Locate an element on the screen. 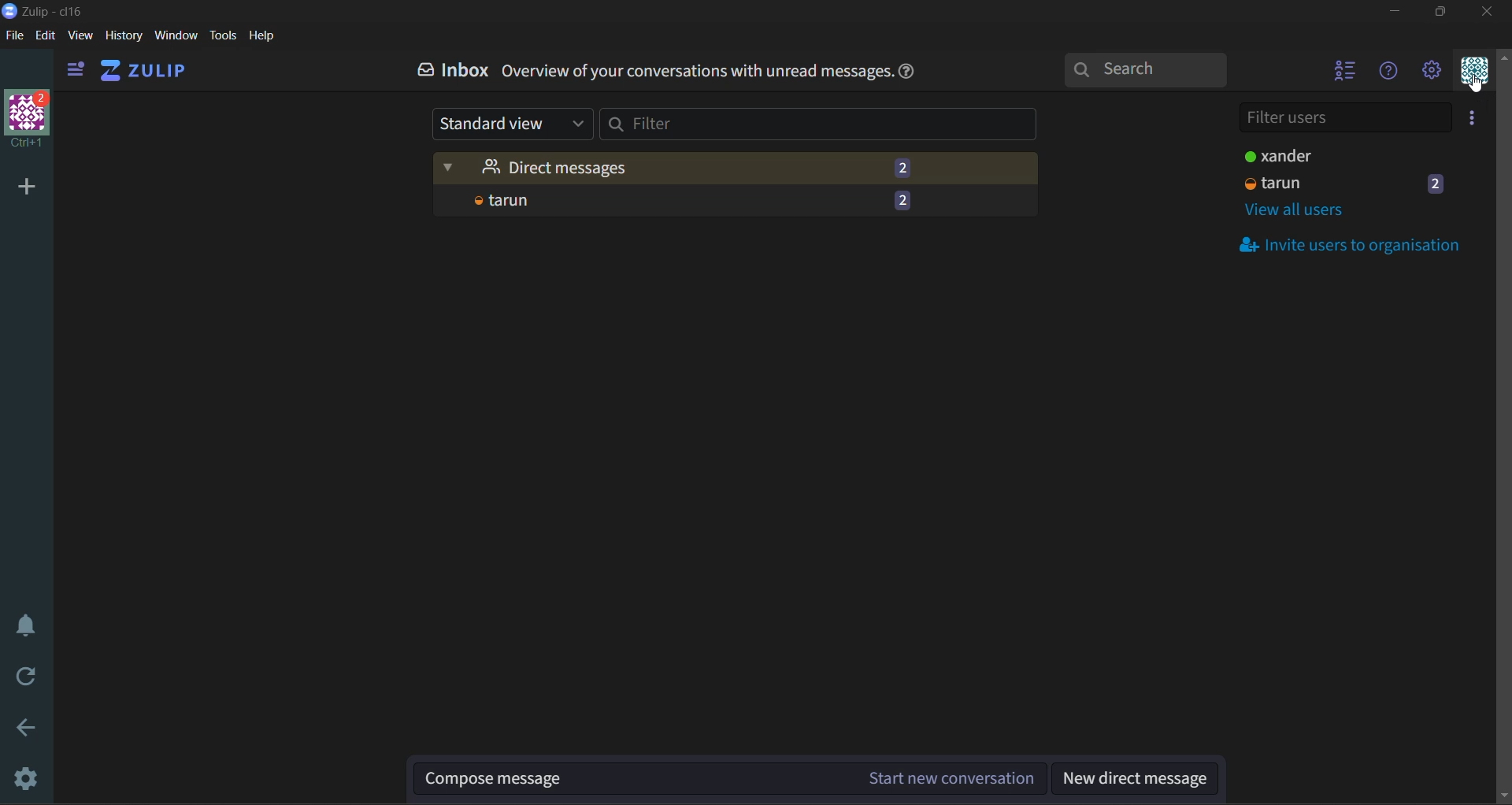 This screenshot has height=805, width=1512. filter users is located at coordinates (1343, 118).